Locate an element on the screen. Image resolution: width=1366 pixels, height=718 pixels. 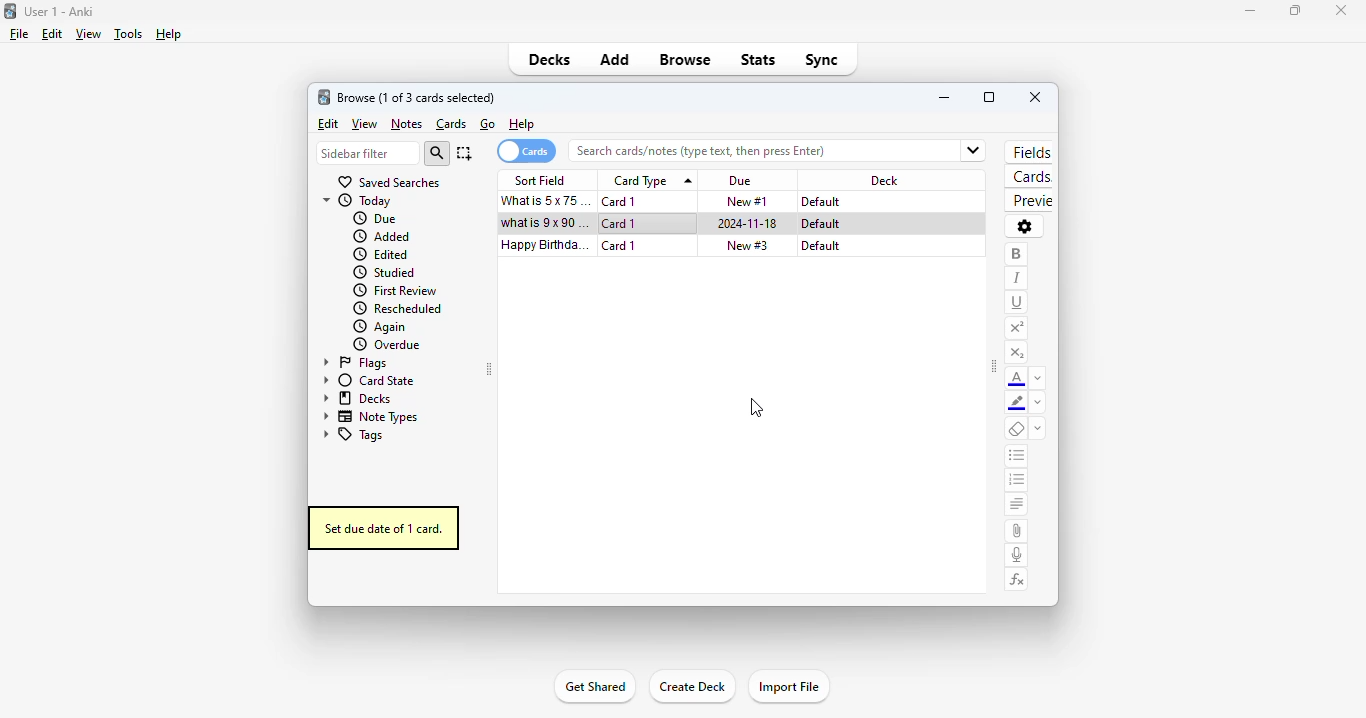
help is located at coordinates (170, 35).